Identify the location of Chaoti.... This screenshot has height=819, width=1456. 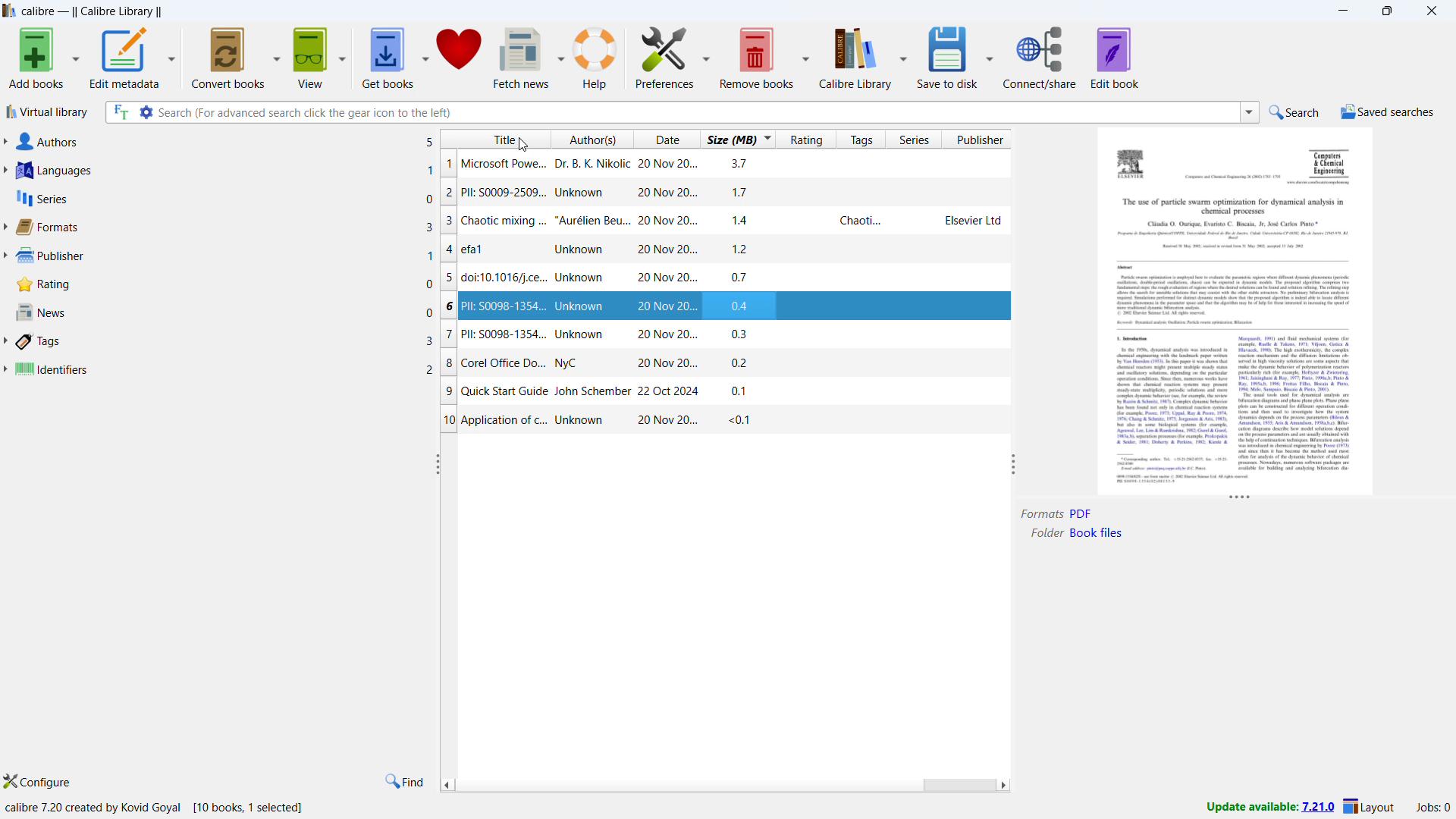
(857, 224).